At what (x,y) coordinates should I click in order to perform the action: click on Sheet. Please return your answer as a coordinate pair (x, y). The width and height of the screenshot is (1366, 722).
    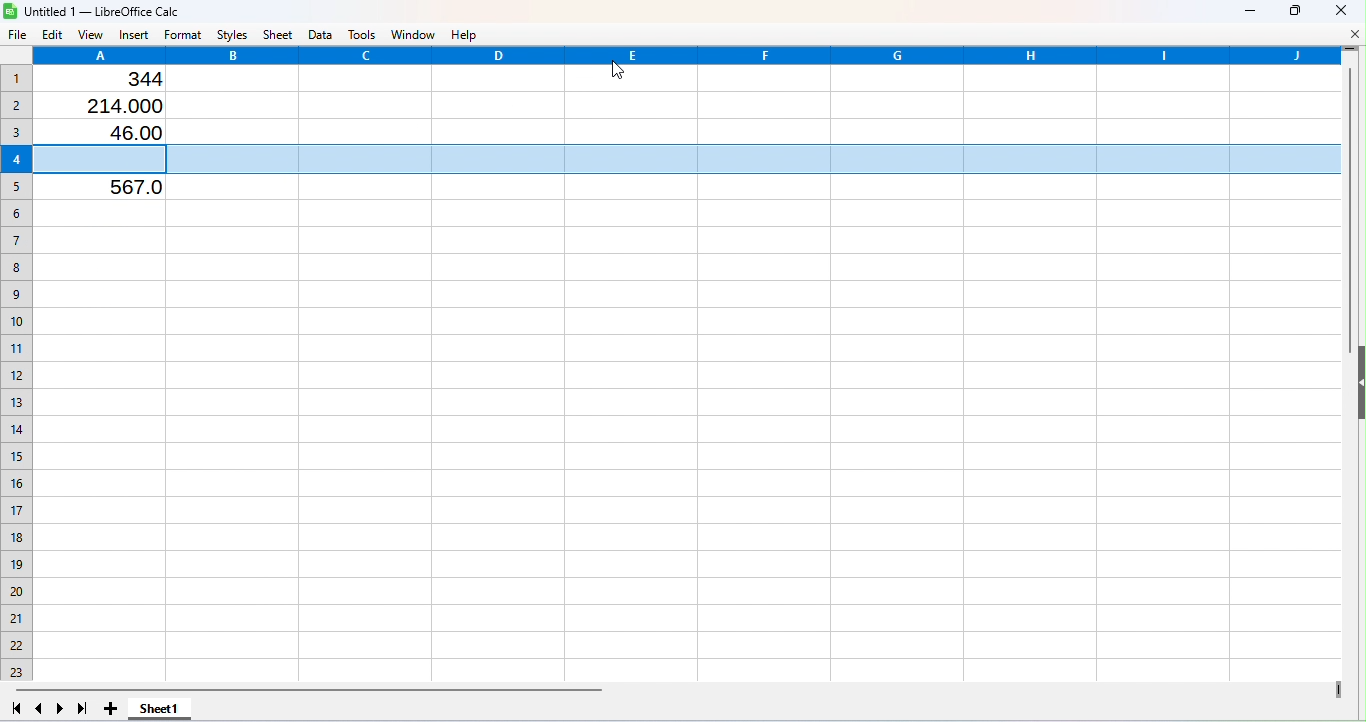
    Looking at the image, I should click on (280, 34).